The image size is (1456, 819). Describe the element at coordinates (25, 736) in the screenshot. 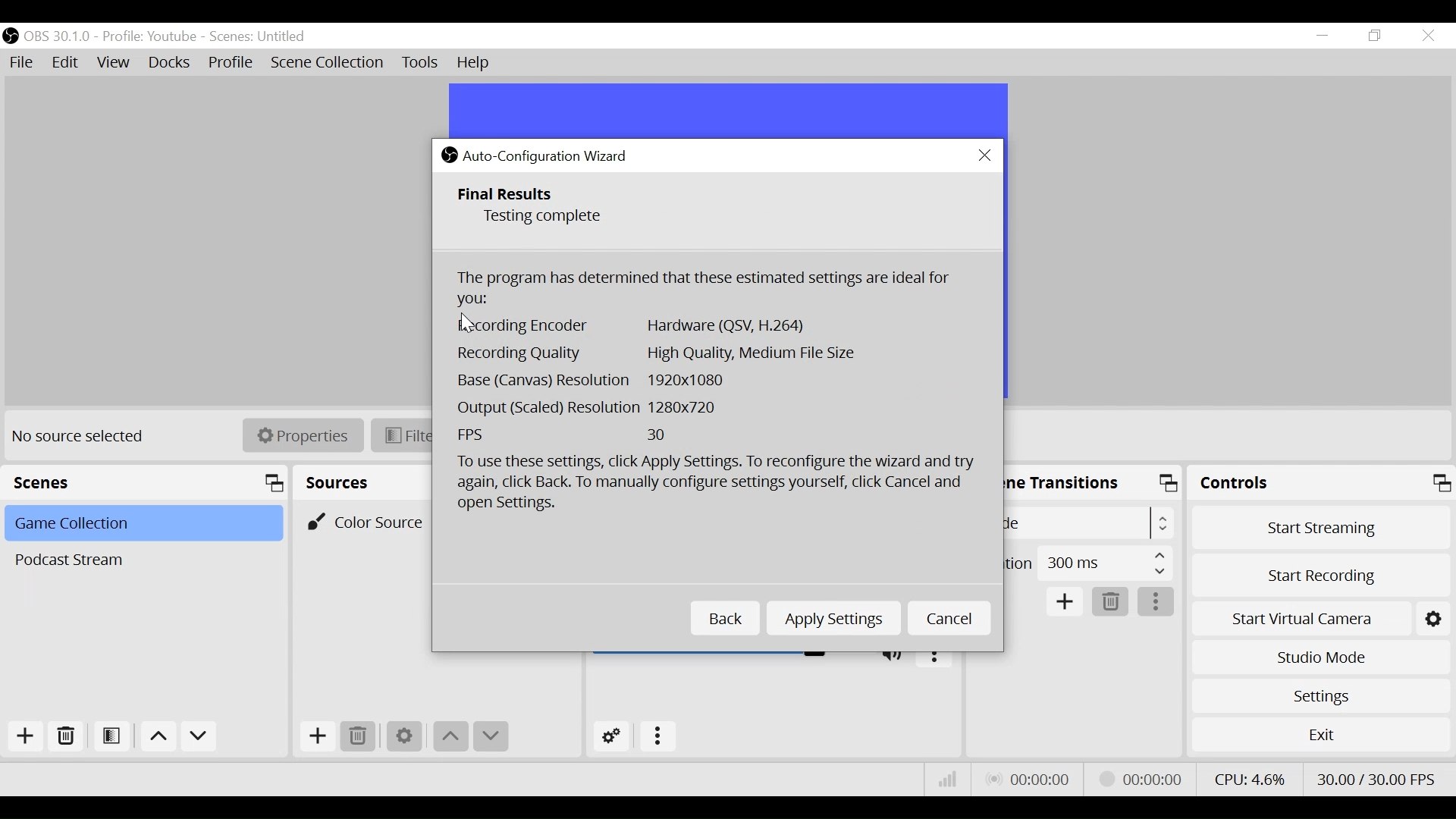

I see `Add` at that location.